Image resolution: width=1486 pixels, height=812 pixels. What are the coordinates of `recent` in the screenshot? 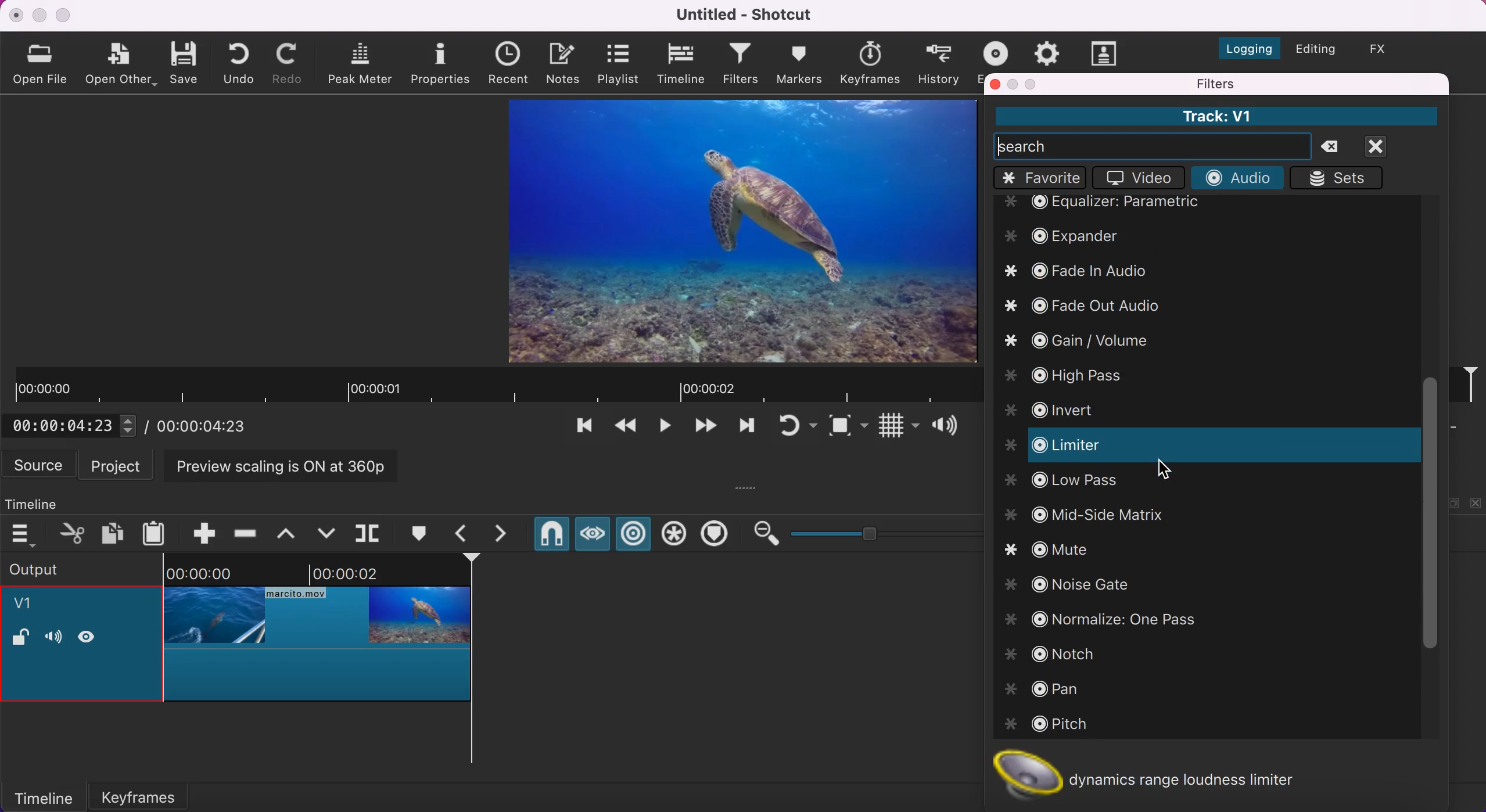 It's located at (512, 64).